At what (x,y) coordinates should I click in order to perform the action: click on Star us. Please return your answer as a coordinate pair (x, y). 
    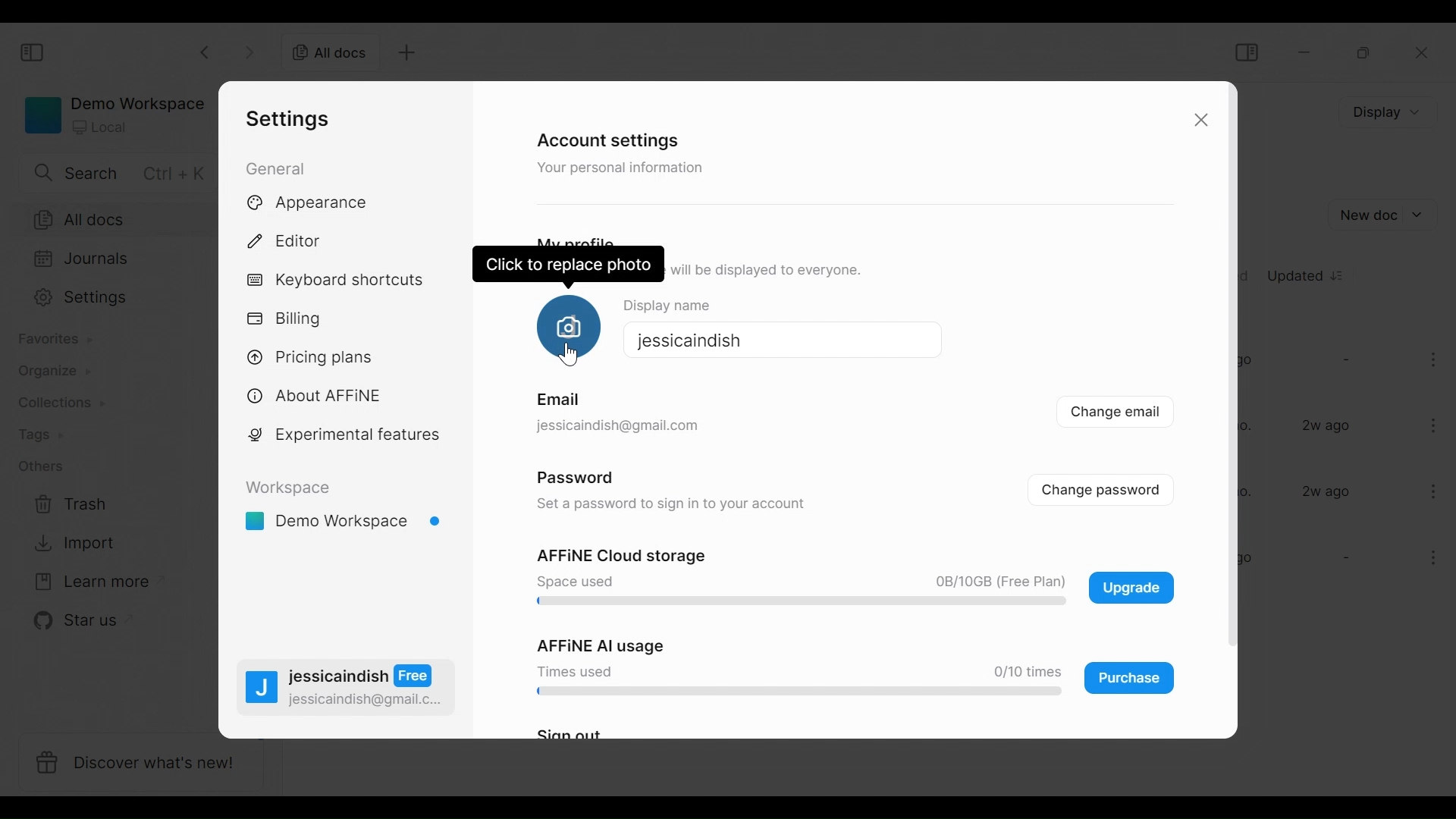
    Looking at the image, I should click on (67, 622).